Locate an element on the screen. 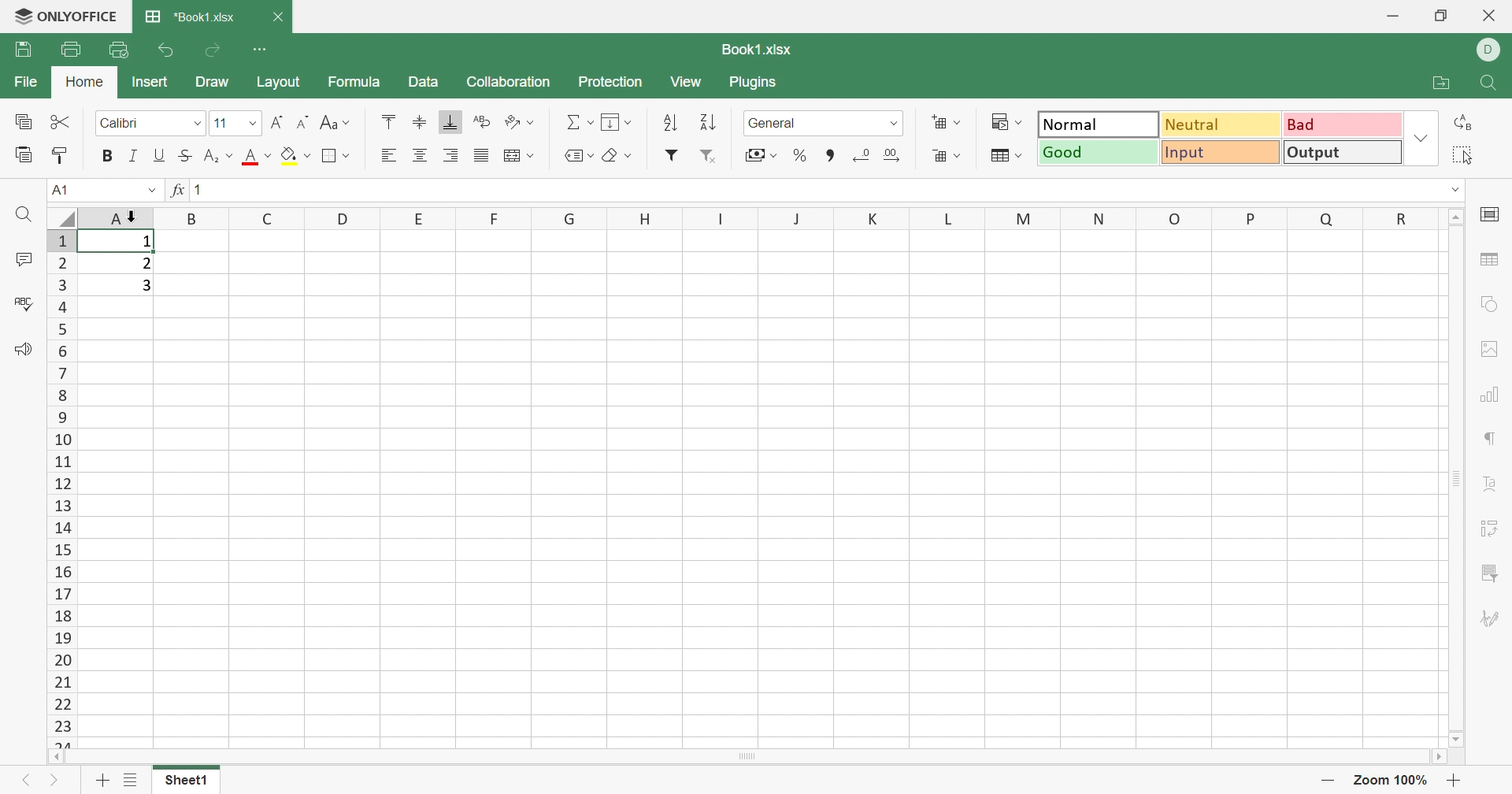 The height and width of the screenshot is (794, 1512). Input is located at coordinates (1221, 152).